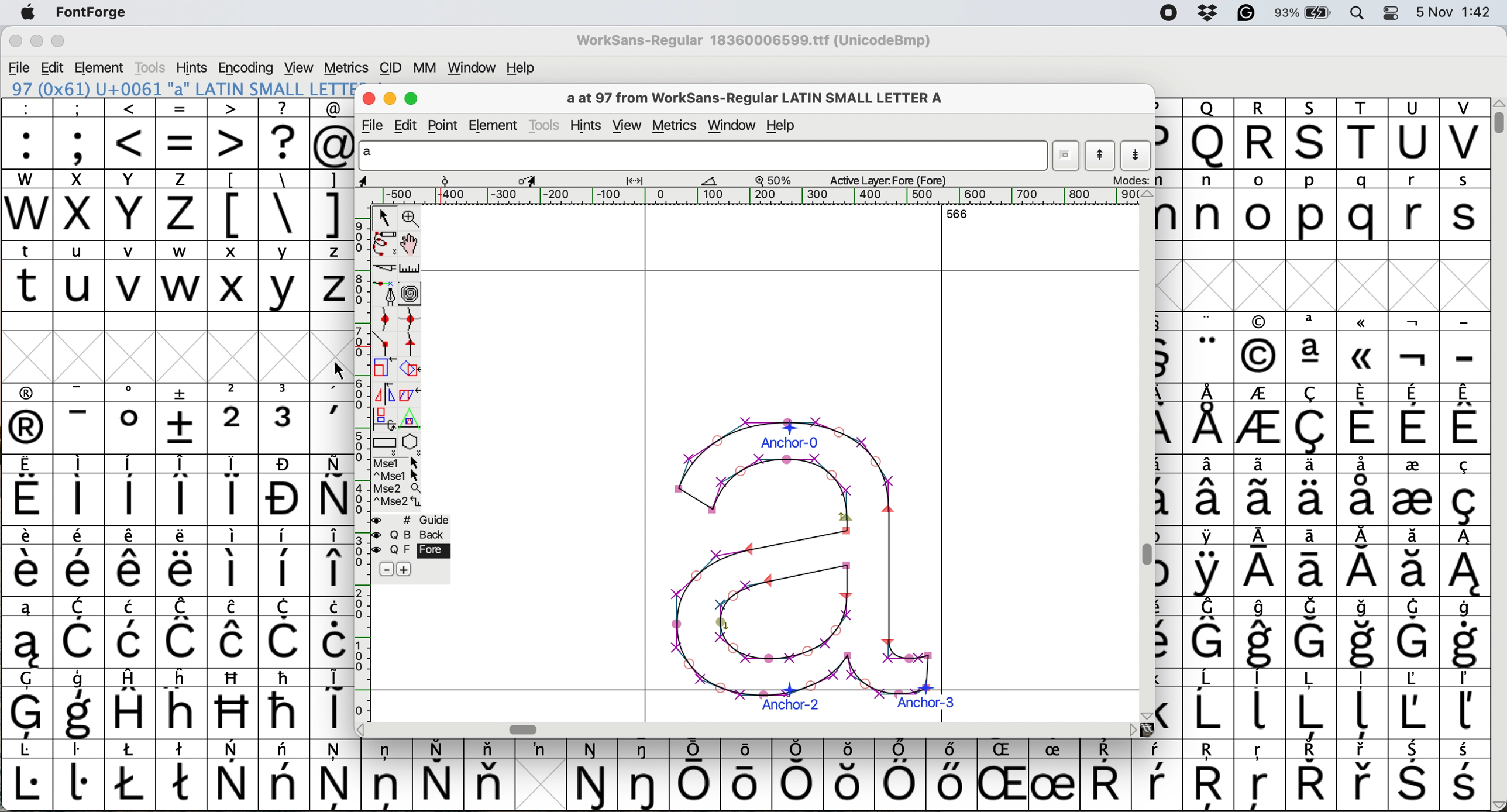  What do you see at coordinates (332, 419) in the screenshot?
I see `symbol` at bounding box center [332, 419].